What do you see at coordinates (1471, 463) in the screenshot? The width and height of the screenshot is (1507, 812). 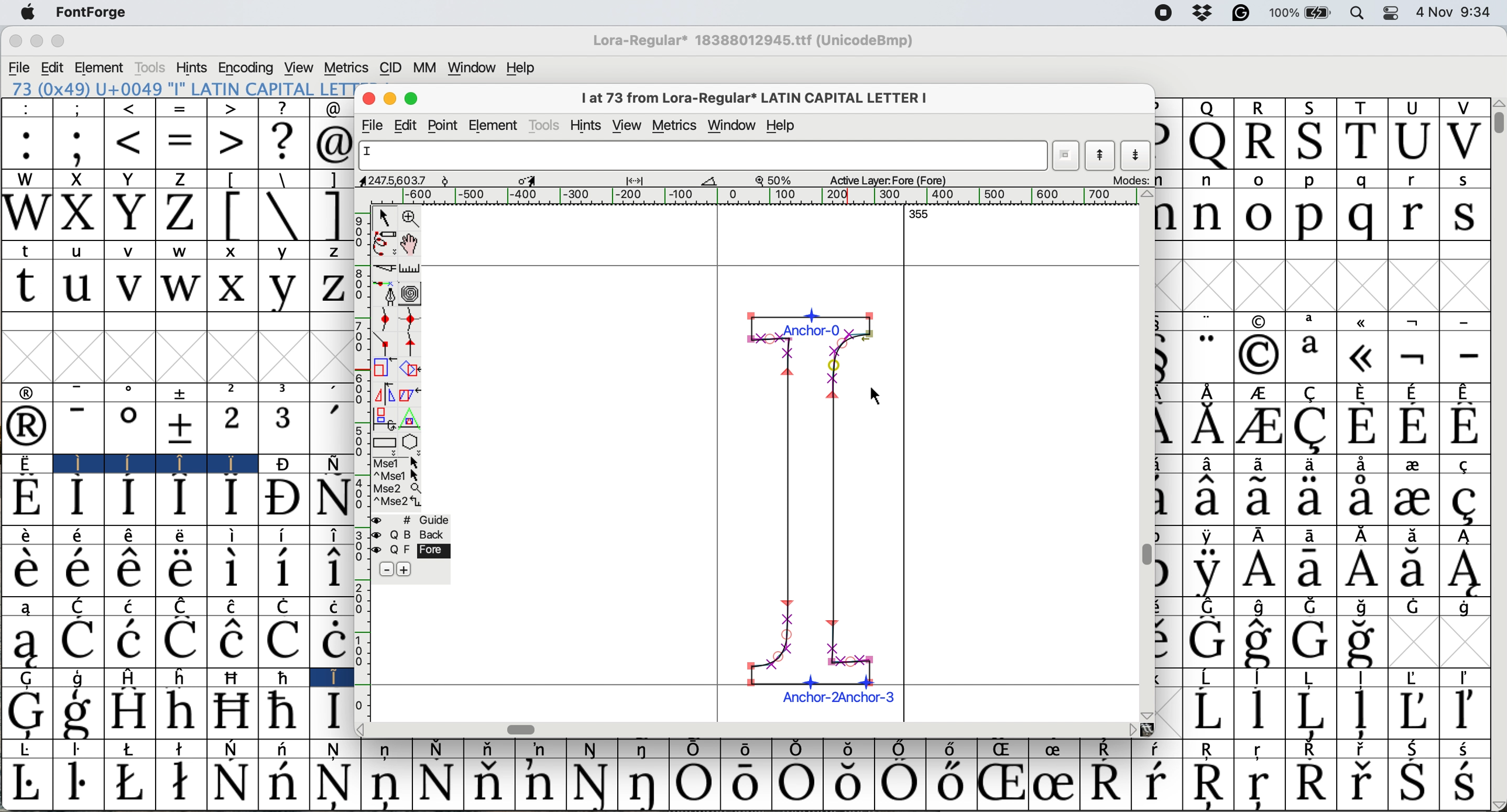 I see `Symbol` at bounding box center [1471, 463].